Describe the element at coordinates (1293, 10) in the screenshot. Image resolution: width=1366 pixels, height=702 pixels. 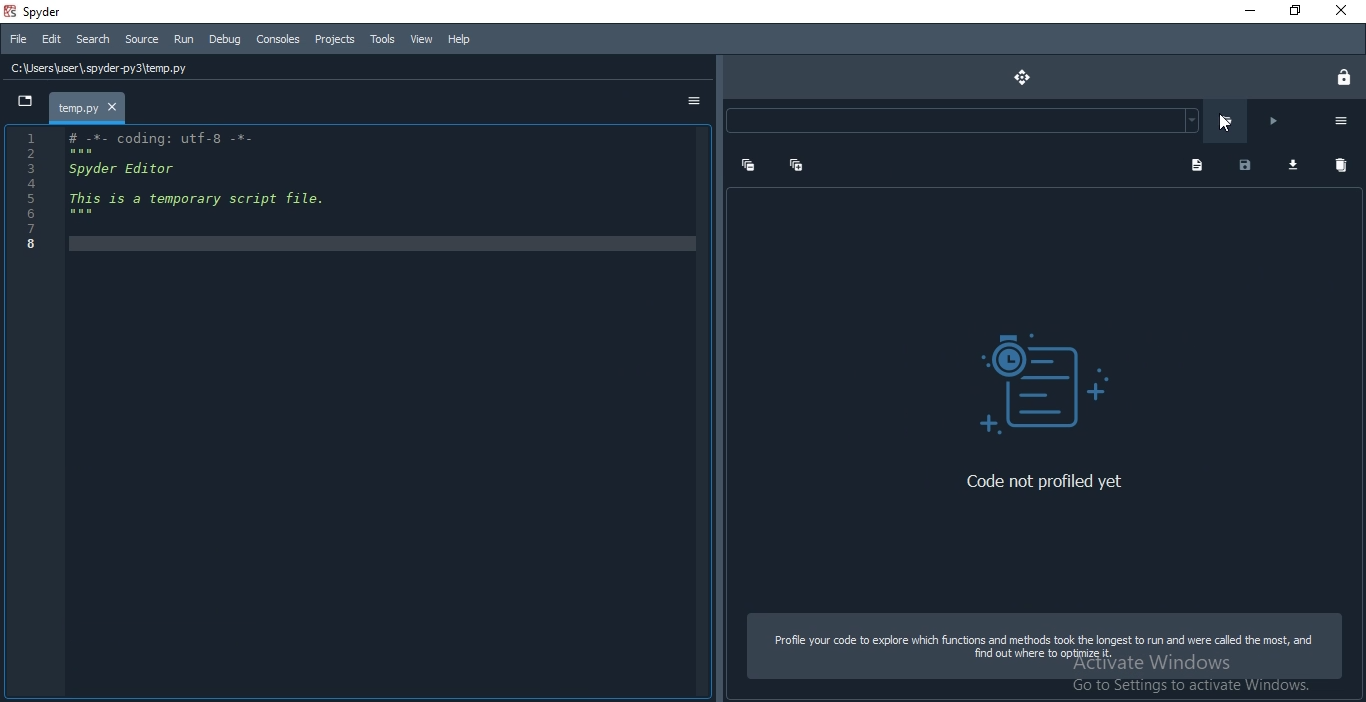
I see `Restore` at that location.